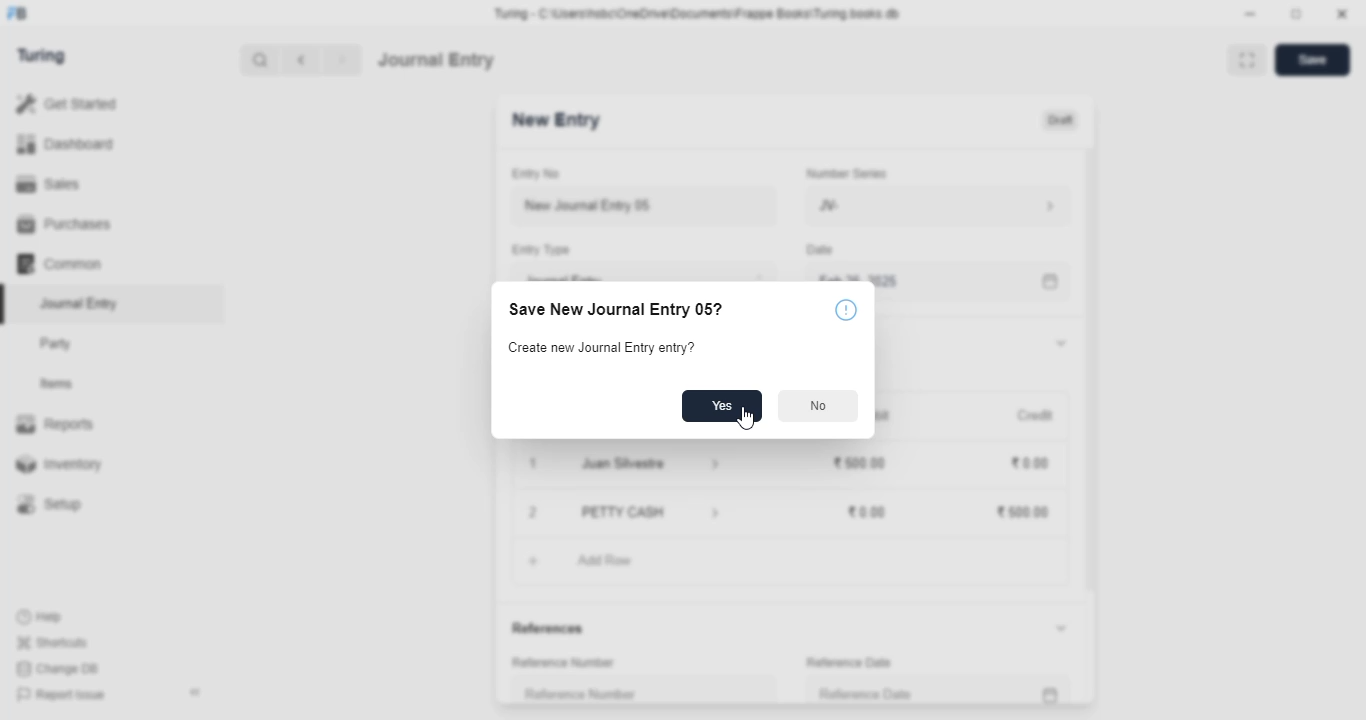 This screenshot has height=720, width=1366. What do you see at coordinates (61, 264) in the screenshot?
I see `common` at bounding box center [61, 264].